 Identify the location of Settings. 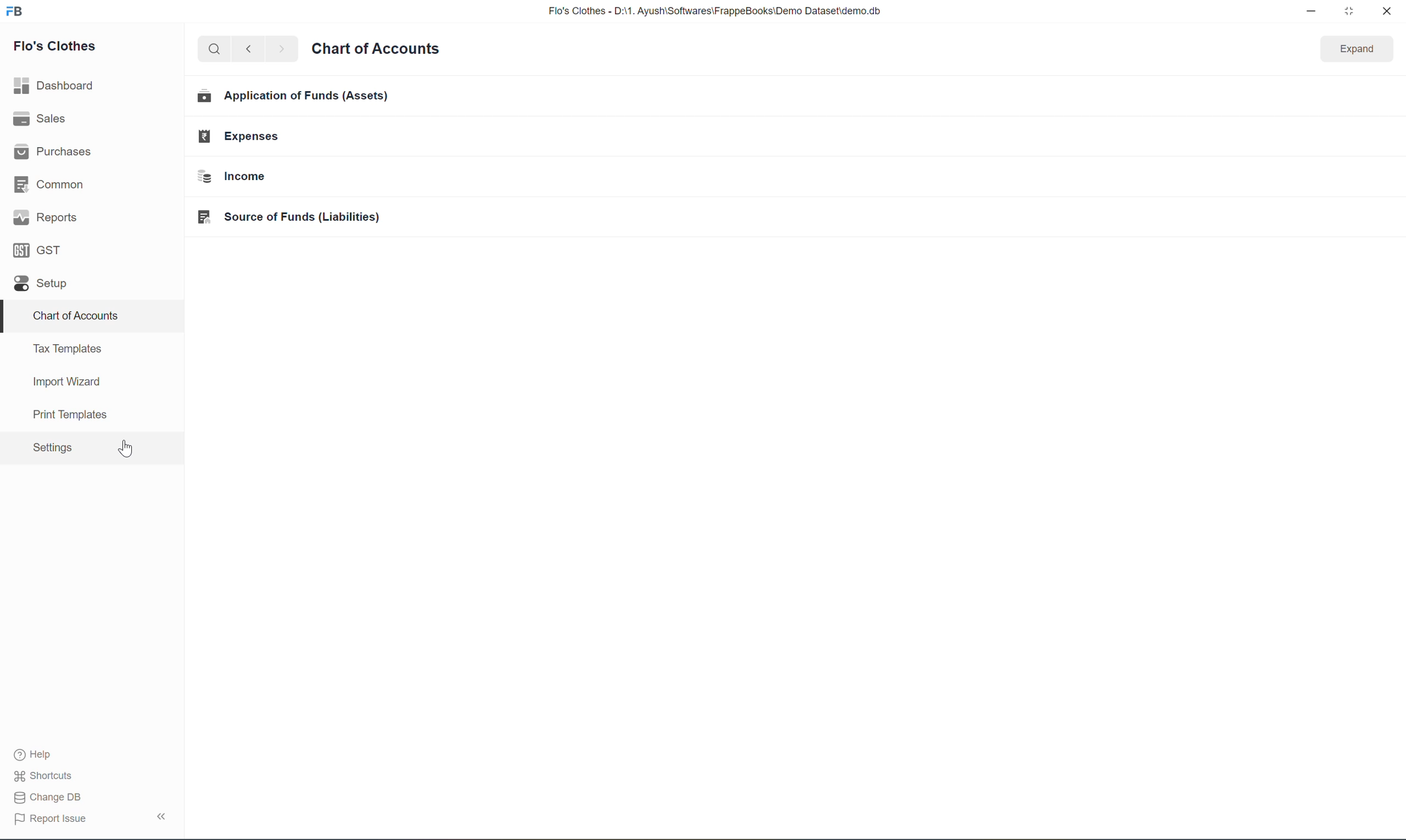
(50, 447).